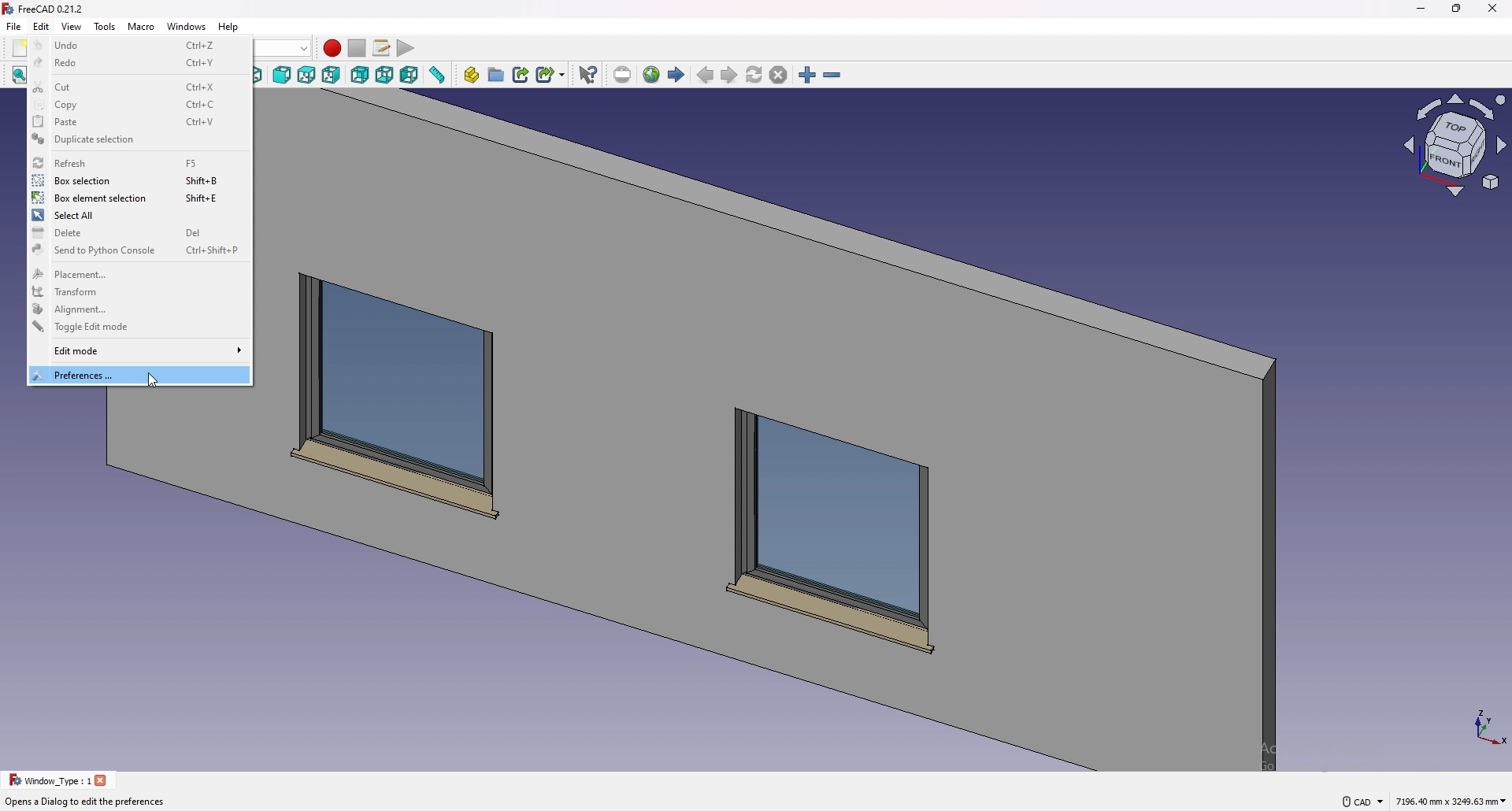 The image size is (1512, 811). What do you see at coordinates (154, 383) in the screenshot?
I see `cursor` at bounding box center [154, 383].